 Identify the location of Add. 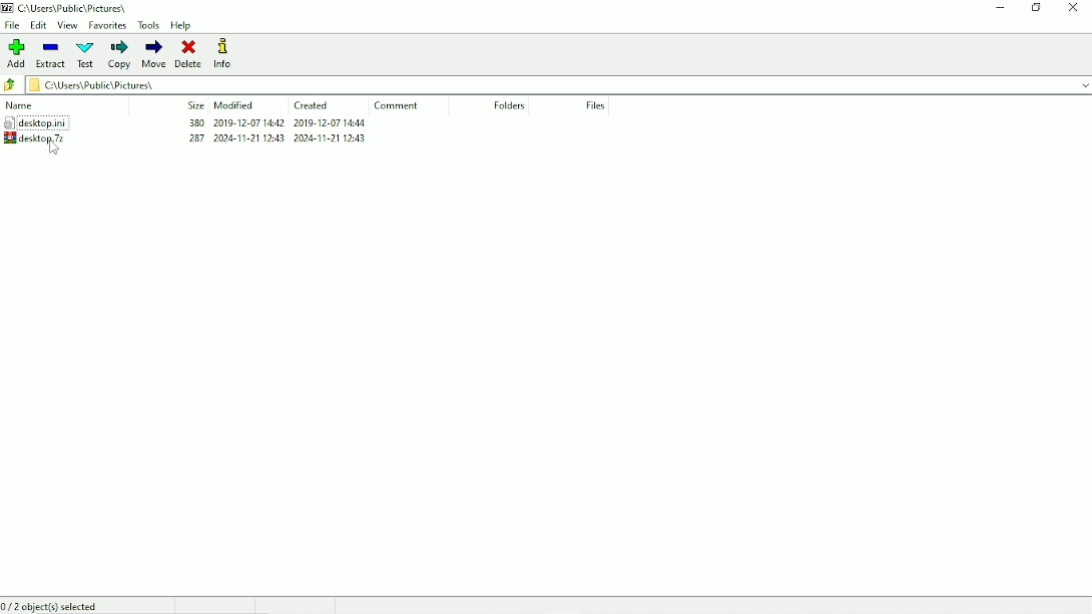
(17, 54).